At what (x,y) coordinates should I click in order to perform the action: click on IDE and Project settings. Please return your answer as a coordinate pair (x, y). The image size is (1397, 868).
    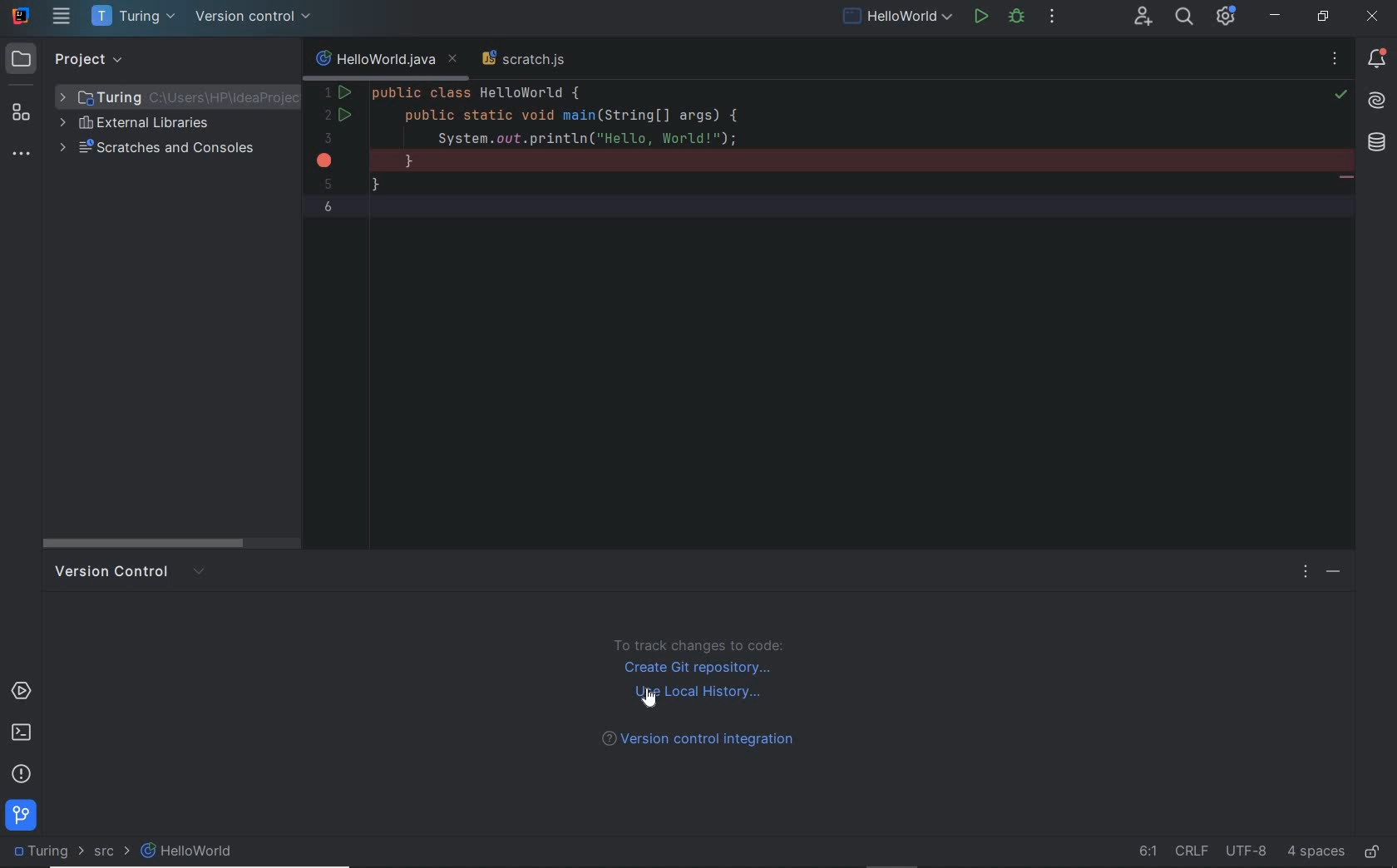
    Looking at the image, I should click on (1226, 14).